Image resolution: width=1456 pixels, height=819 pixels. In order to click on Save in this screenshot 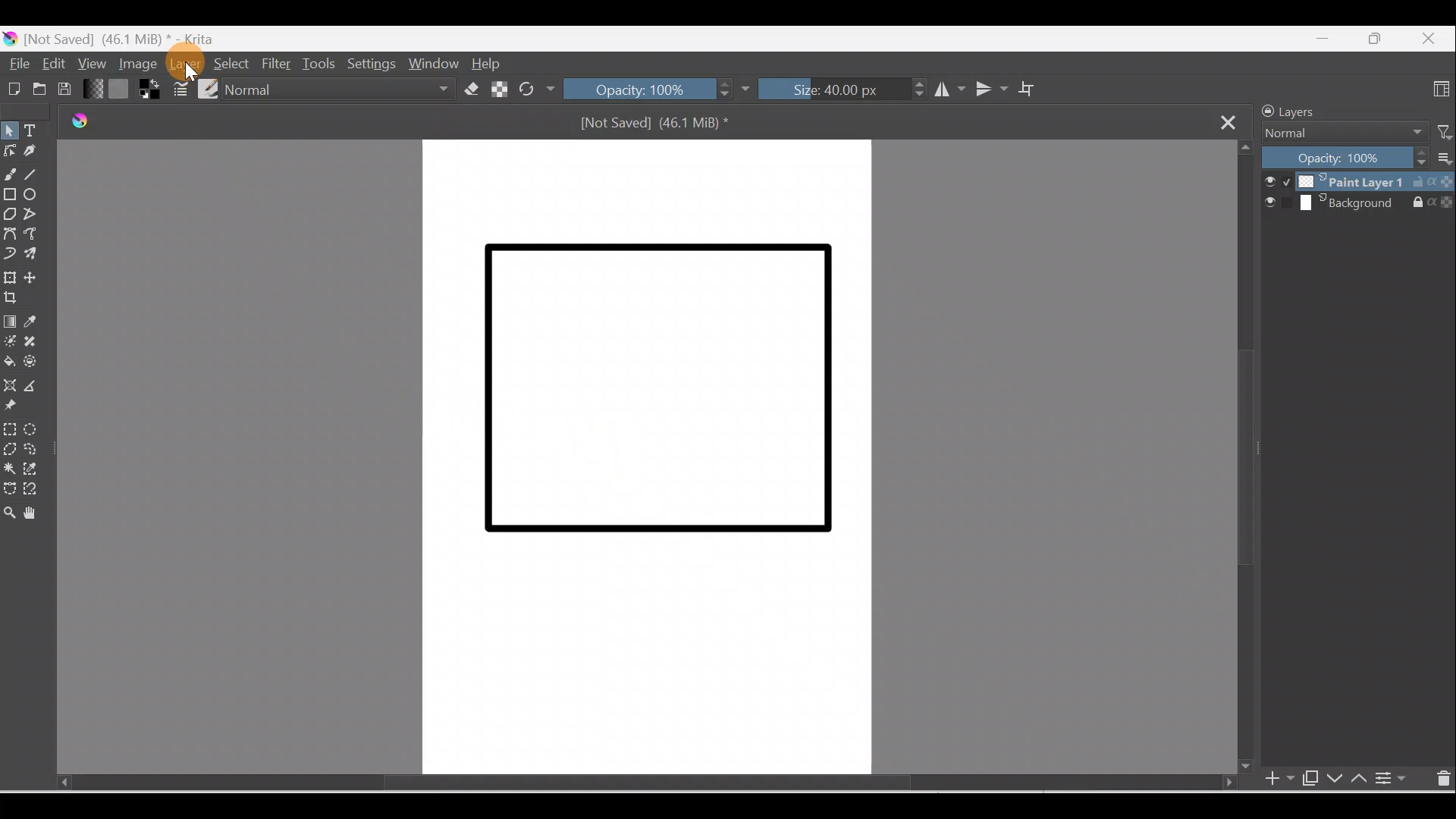, I will do `click(69, 89)`.